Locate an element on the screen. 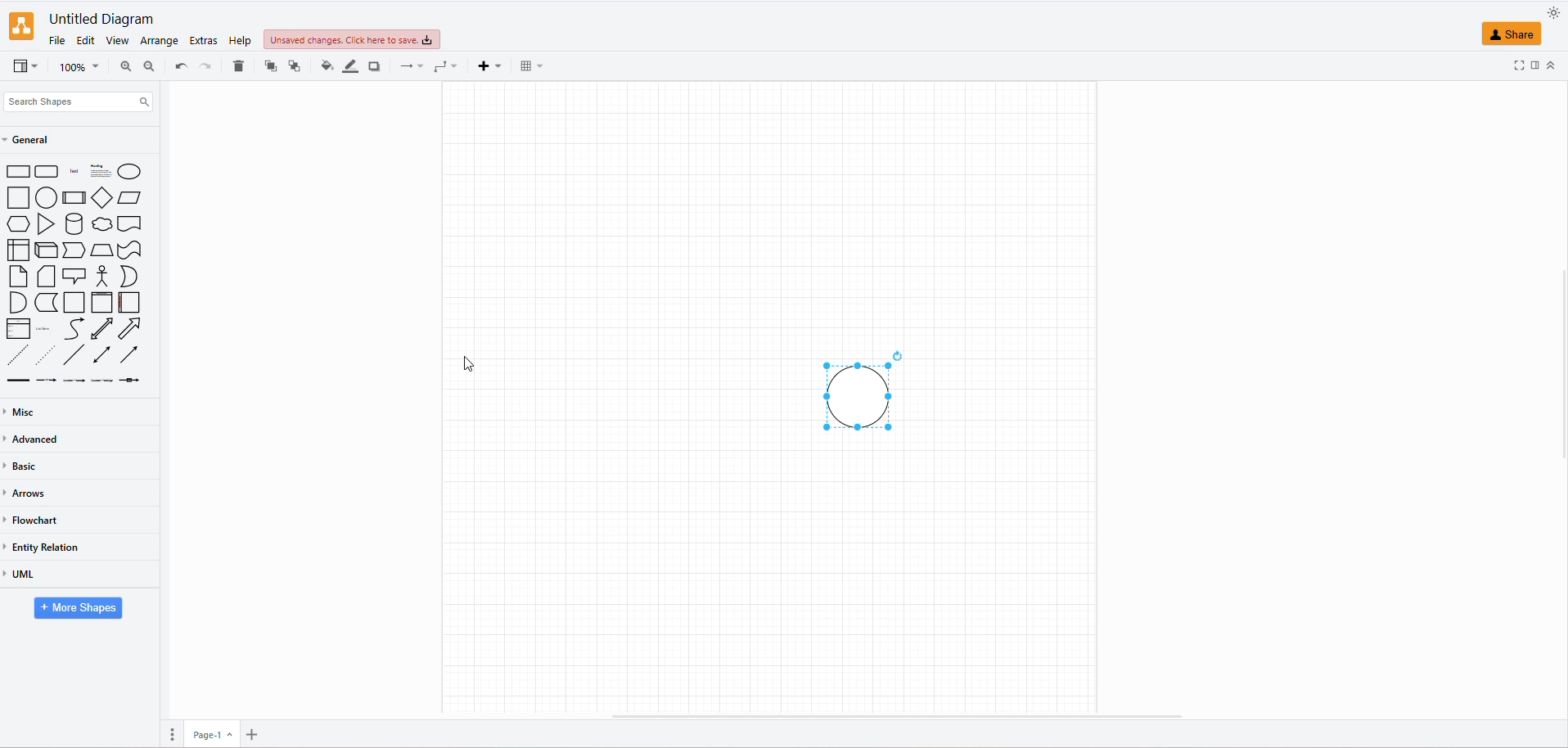  CYLINDER is located at coordinates (74, 223).